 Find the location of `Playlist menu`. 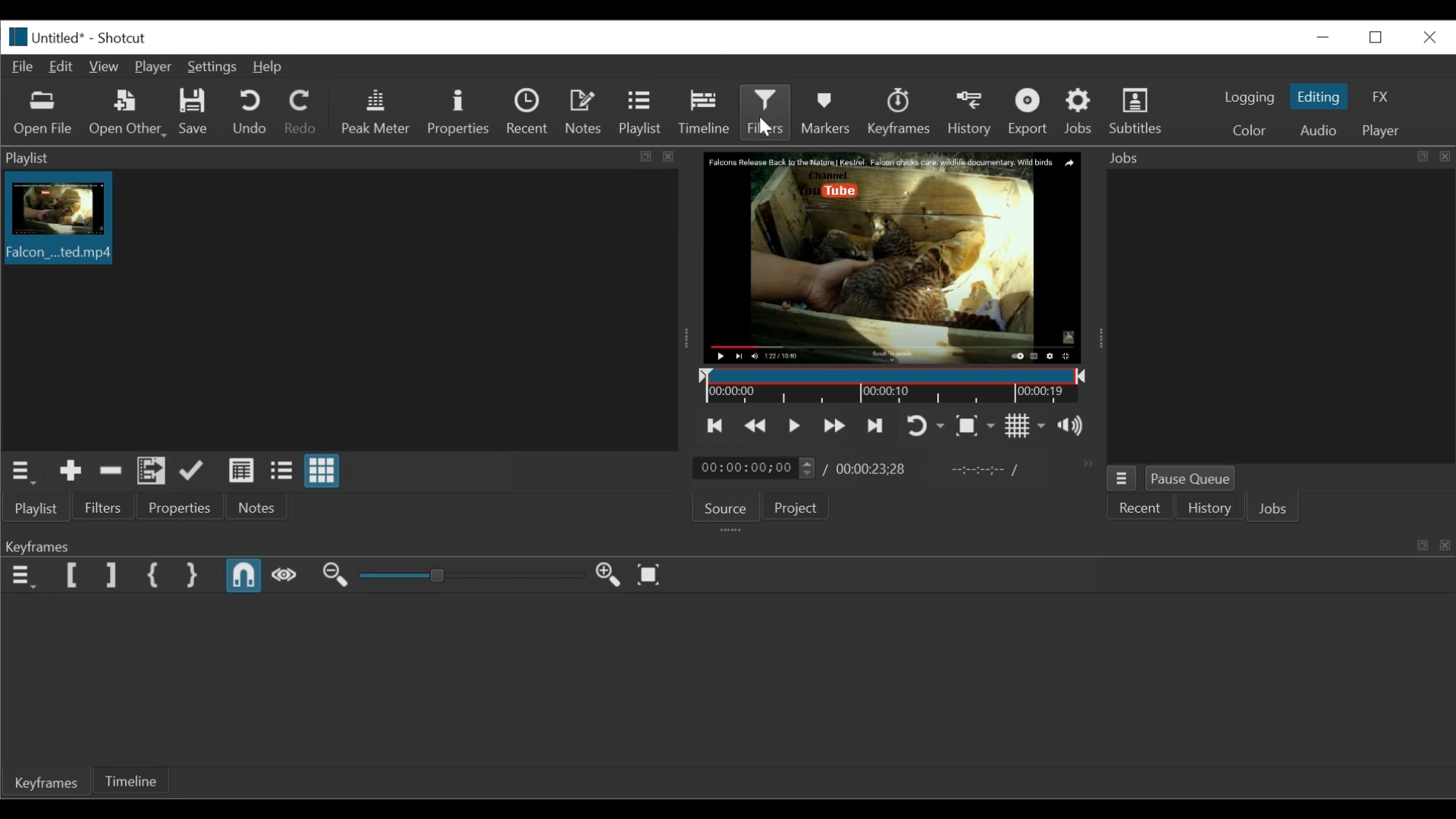

Playlist menu is located at coordinates (20, 472).